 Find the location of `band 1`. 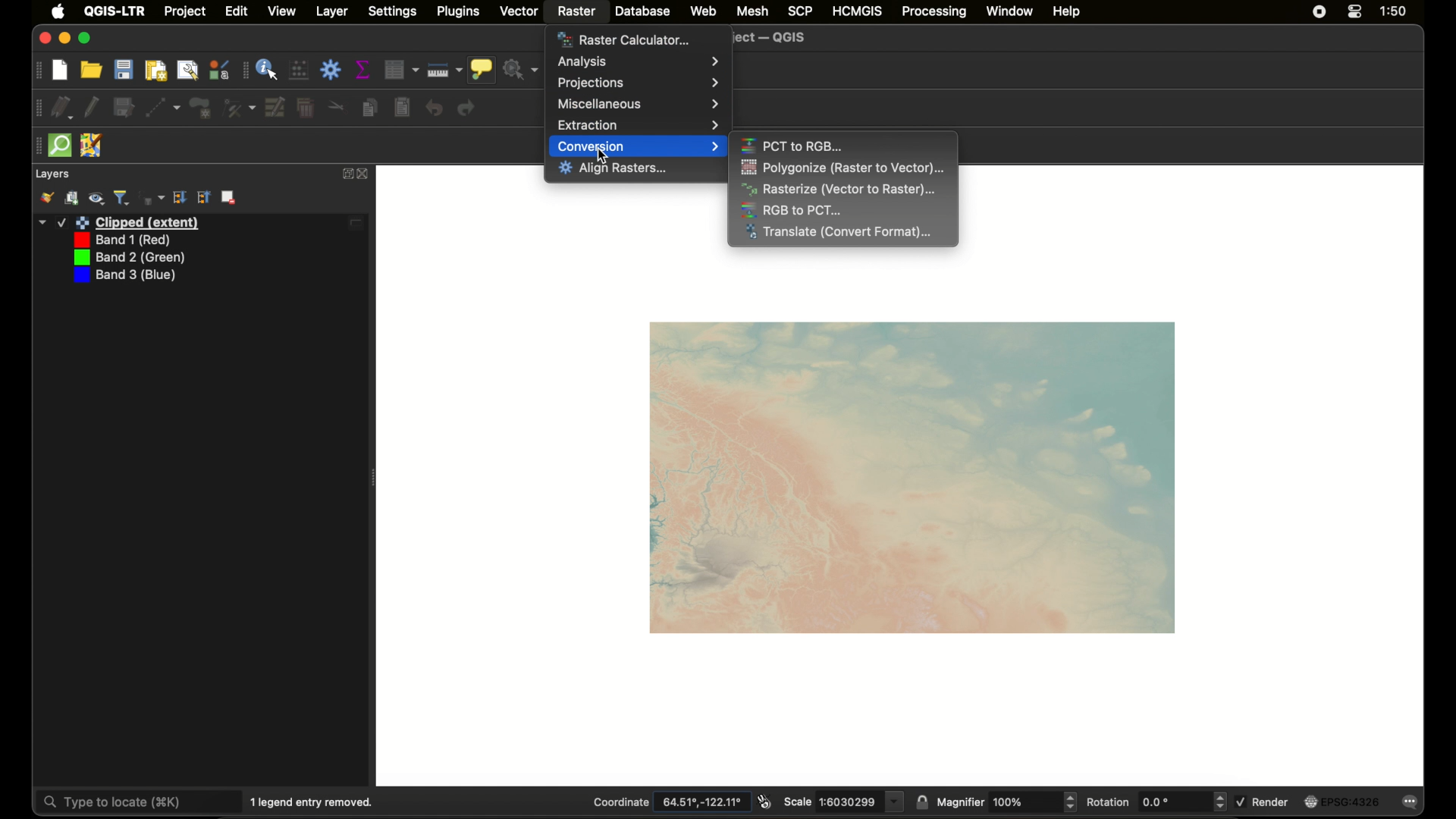

band 1 is located at coordinates (120, 240).